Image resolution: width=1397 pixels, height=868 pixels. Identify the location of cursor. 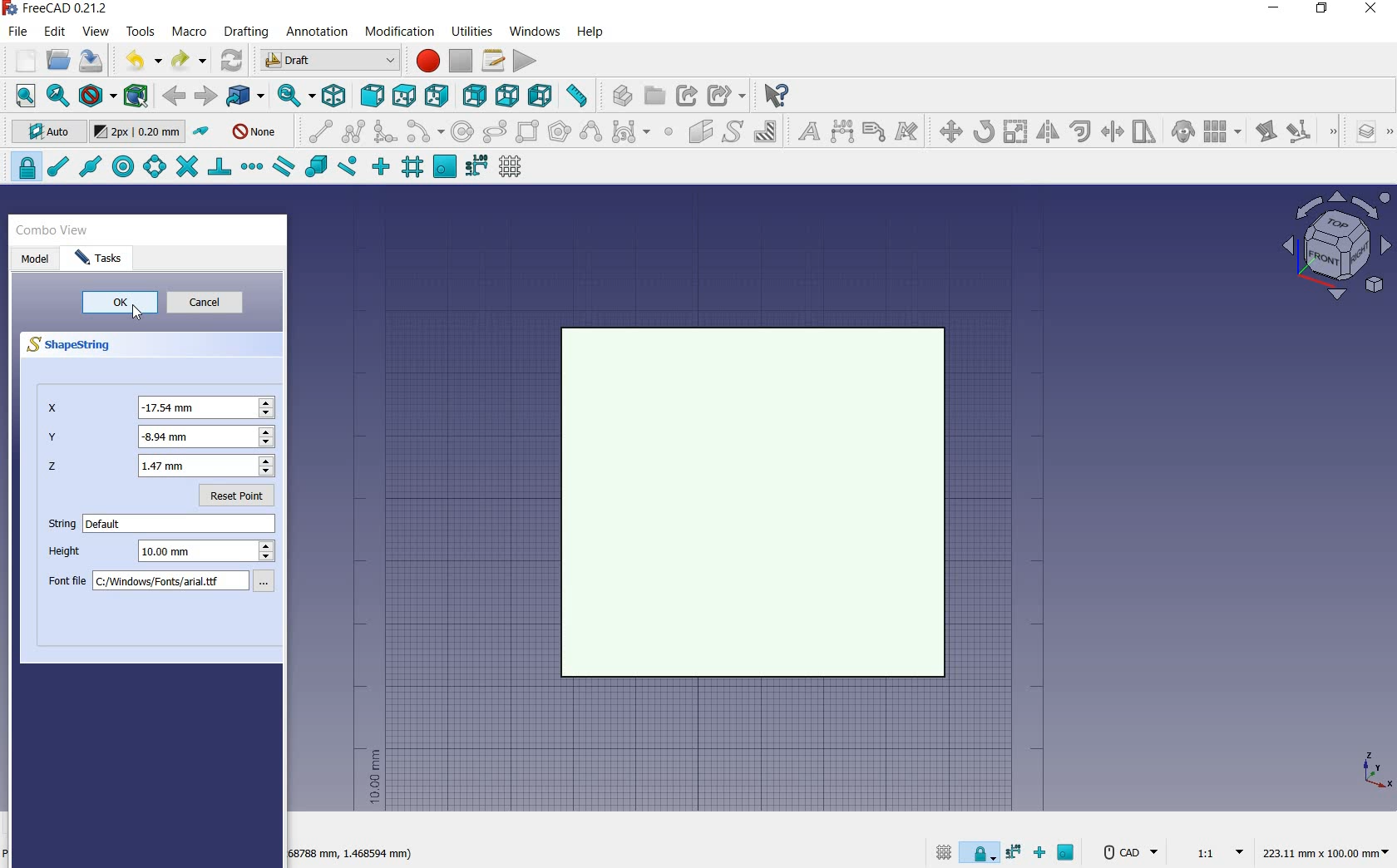
(139, 316).